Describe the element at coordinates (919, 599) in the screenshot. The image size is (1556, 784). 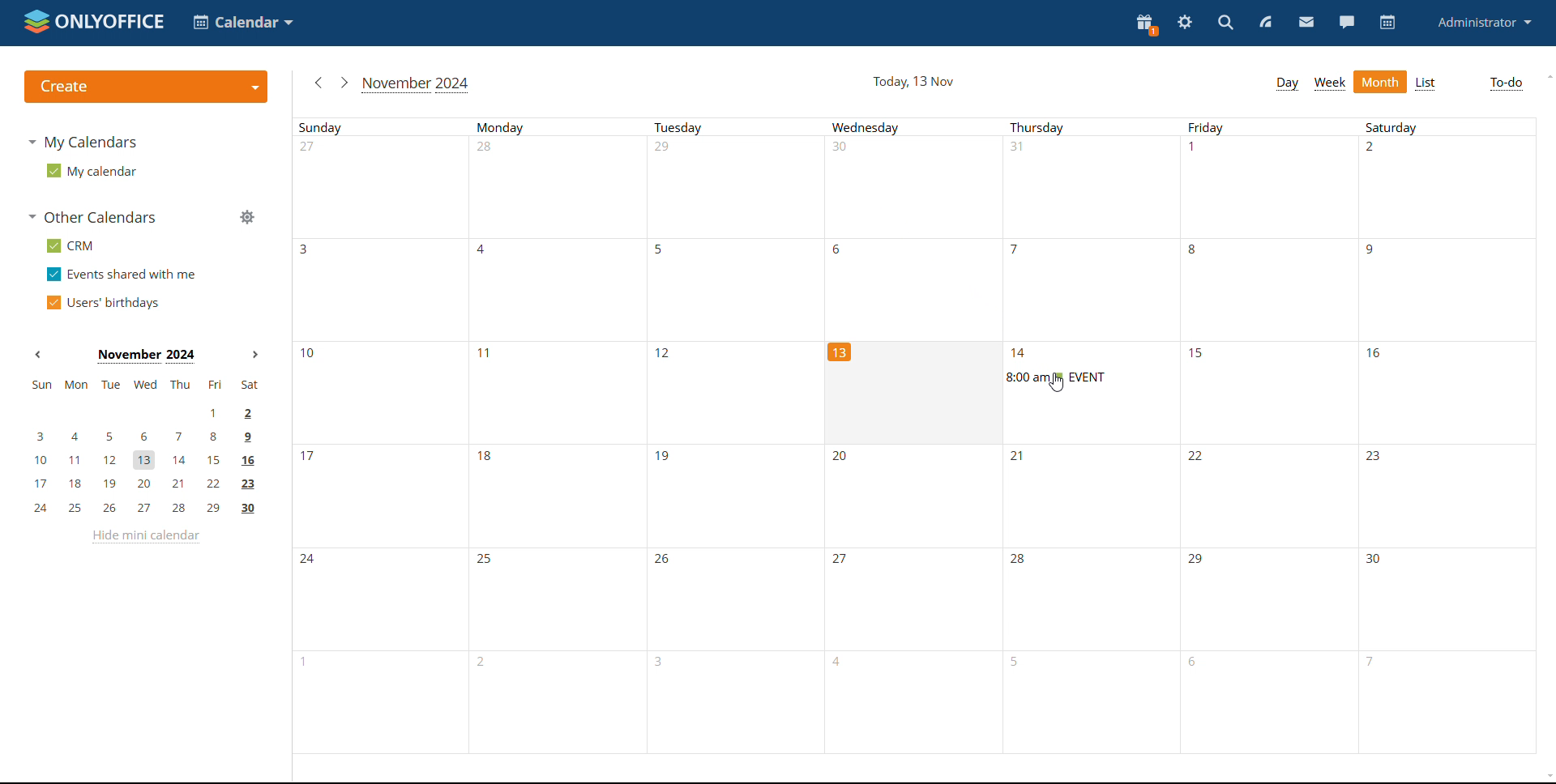
I see `Dates of the month` at that location.